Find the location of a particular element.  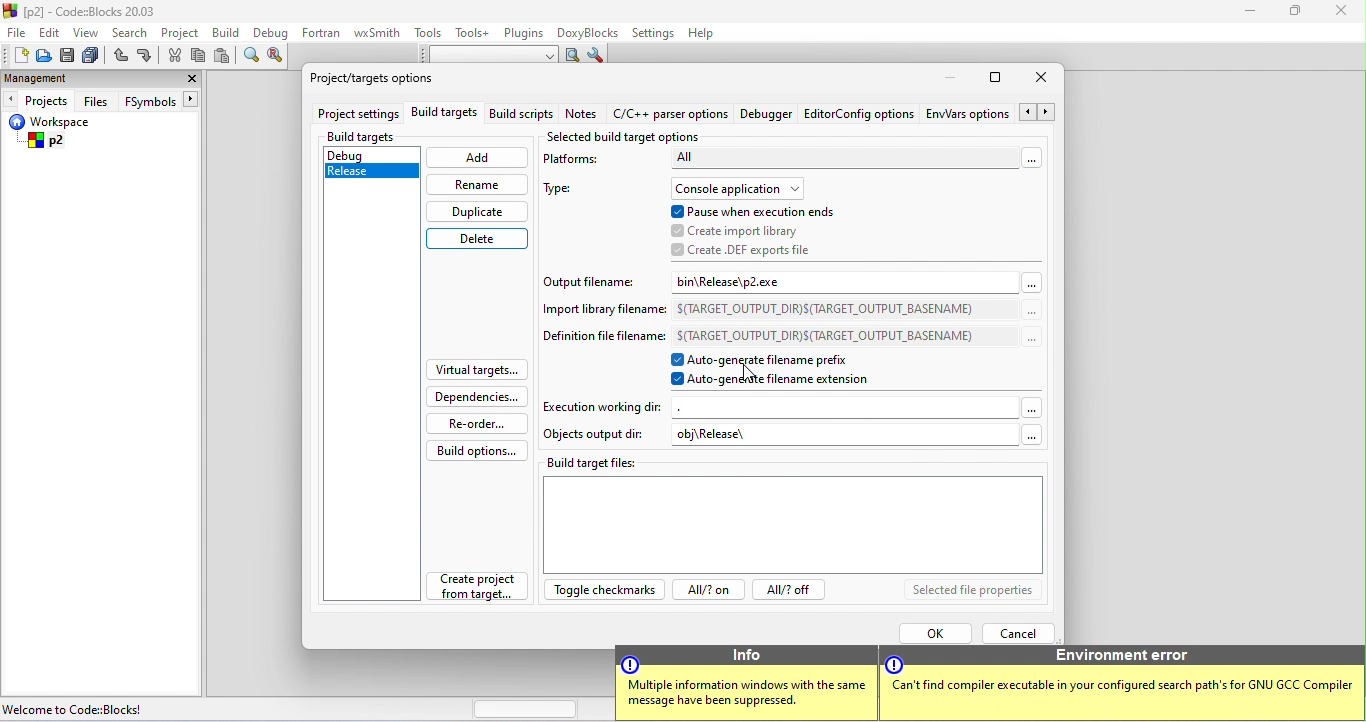

save is located at coordinates (68, 55).